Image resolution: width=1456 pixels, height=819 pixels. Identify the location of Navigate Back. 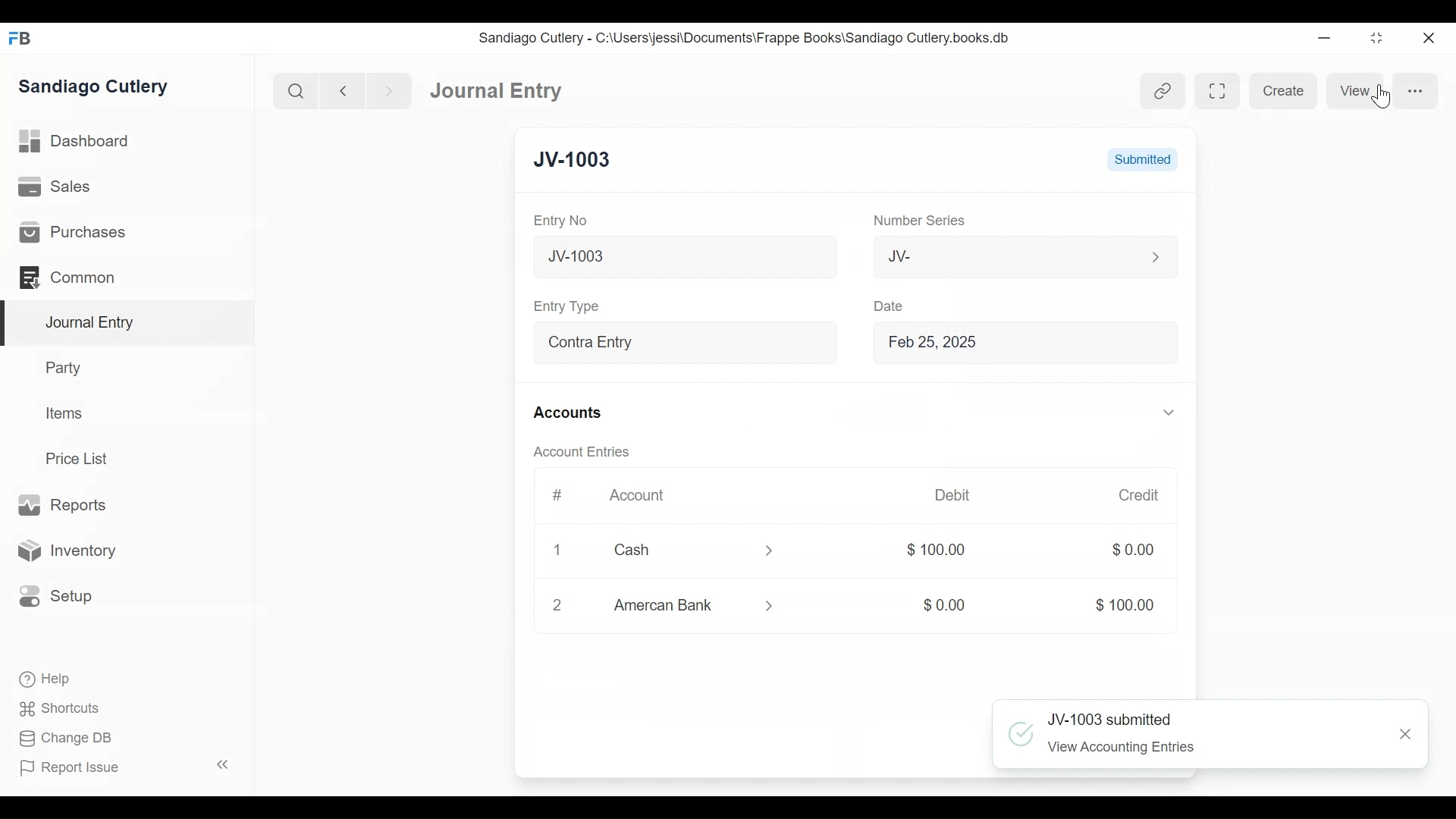
(344, 91).